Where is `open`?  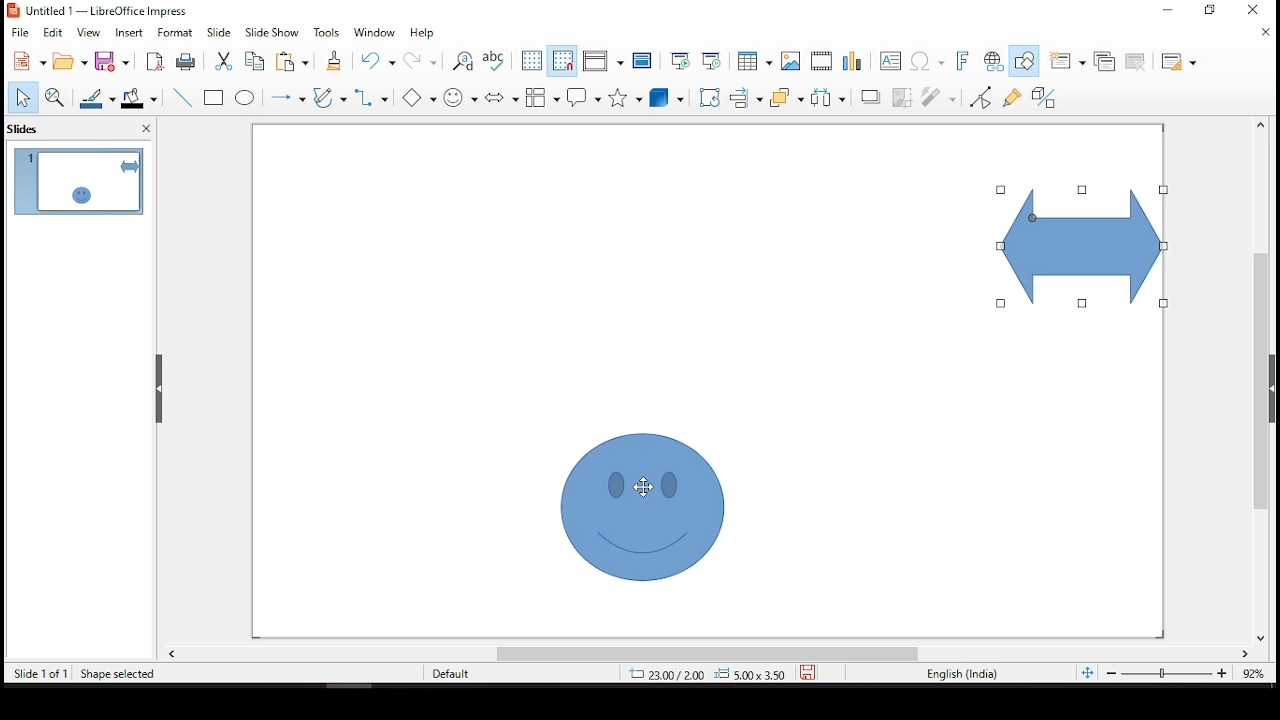
open is located at coordinates (71, 62).